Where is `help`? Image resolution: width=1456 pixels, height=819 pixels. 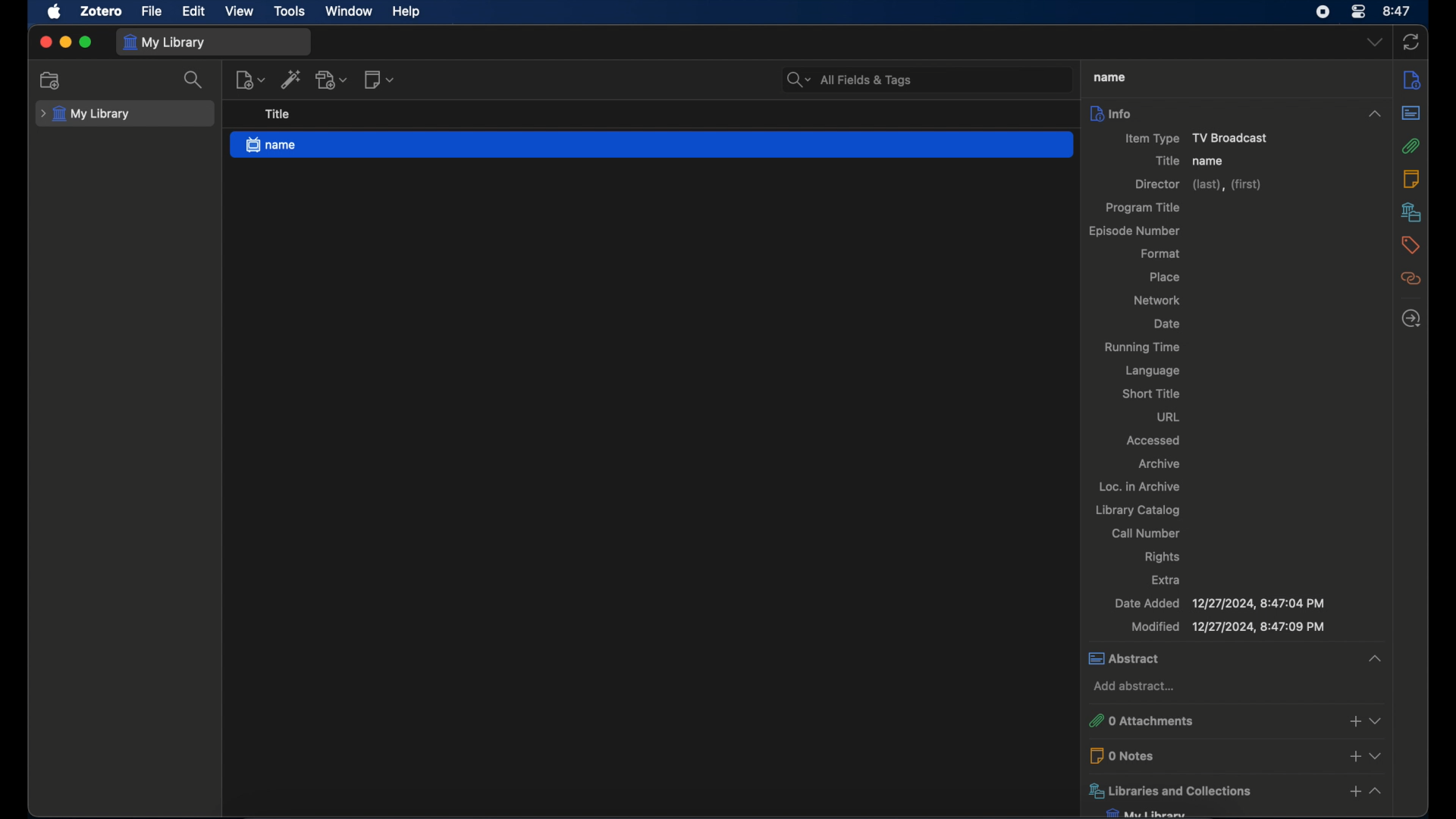
help is located at coordinates (406, 11).